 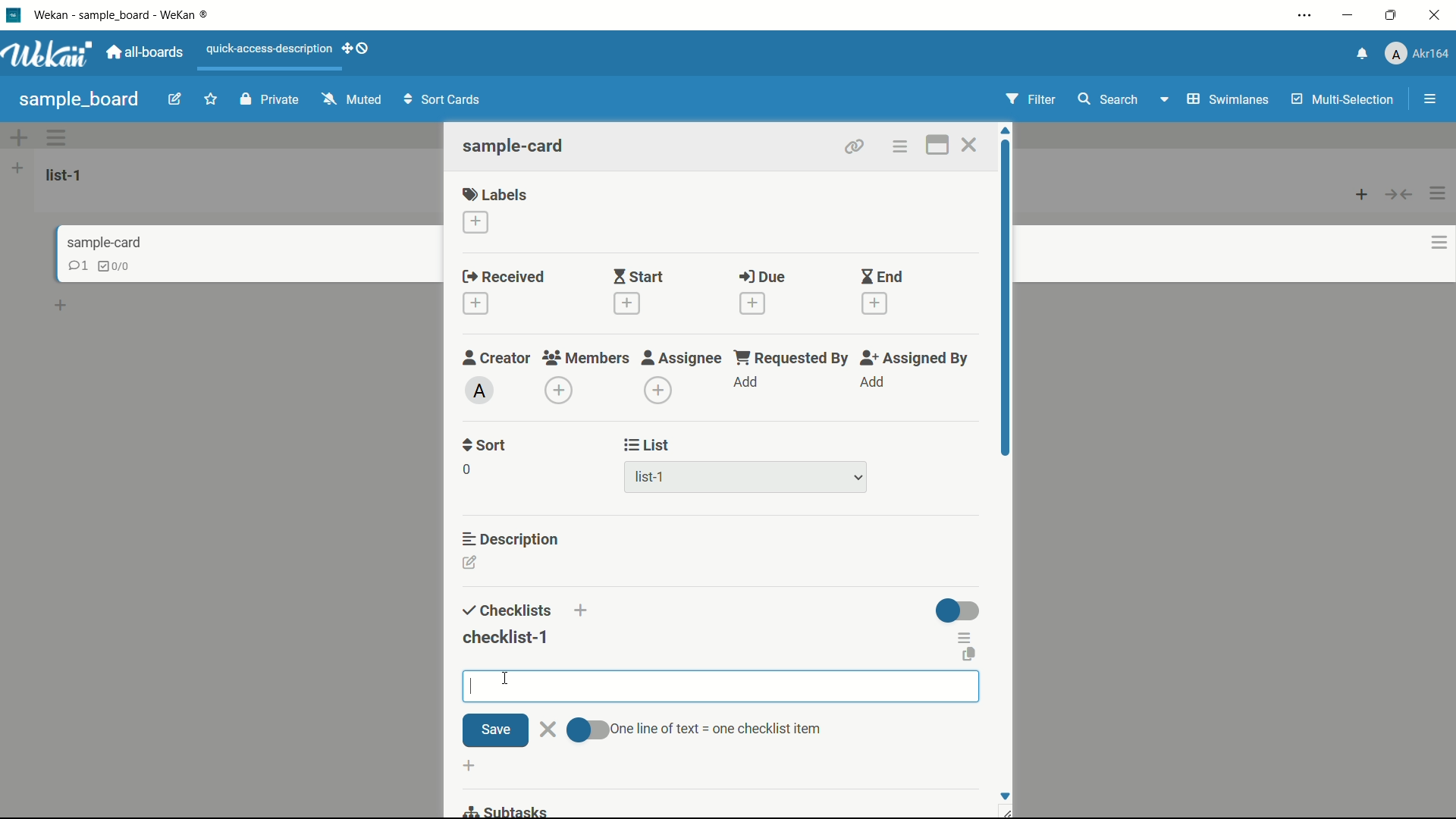 I want to click on  Multi-Selection, so click(x=1345, y=101).